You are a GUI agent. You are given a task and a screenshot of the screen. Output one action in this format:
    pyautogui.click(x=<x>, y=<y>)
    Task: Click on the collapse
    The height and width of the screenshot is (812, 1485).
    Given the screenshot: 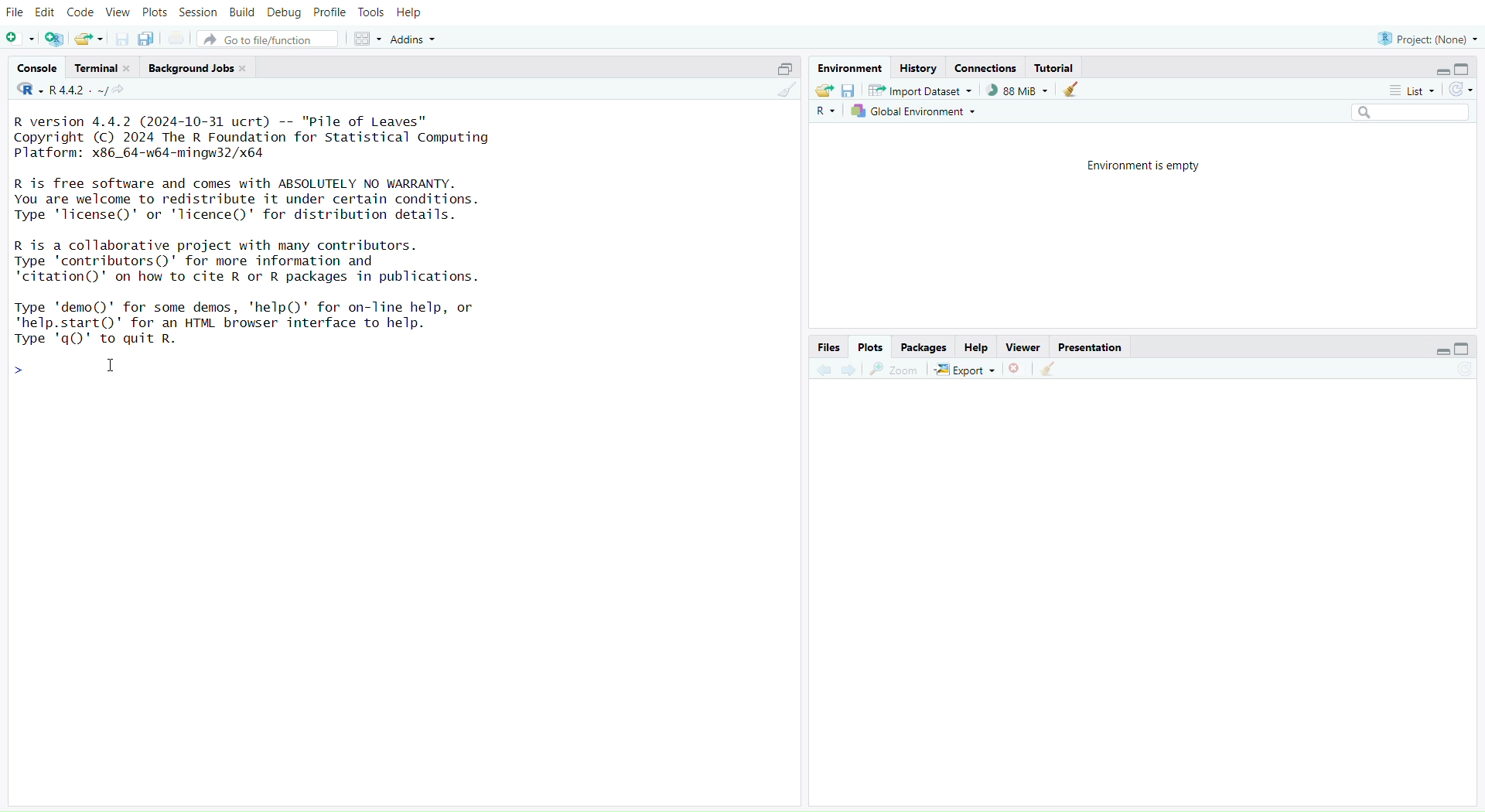 What is the action you would take?
    pyautogui.click(x=1465, y=70)
    